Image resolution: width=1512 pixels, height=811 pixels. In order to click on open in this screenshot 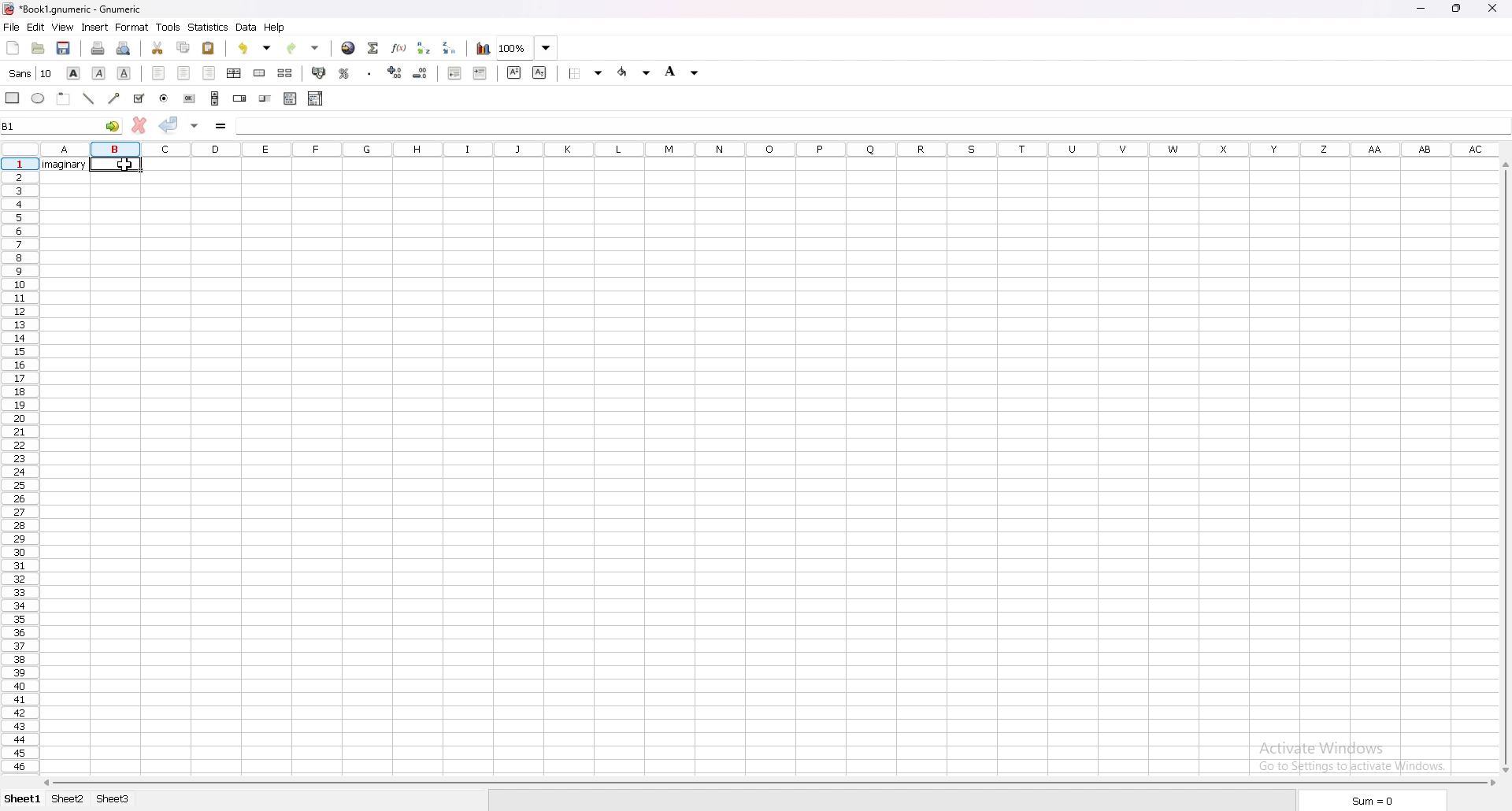, I will do `click(37, 49)`.